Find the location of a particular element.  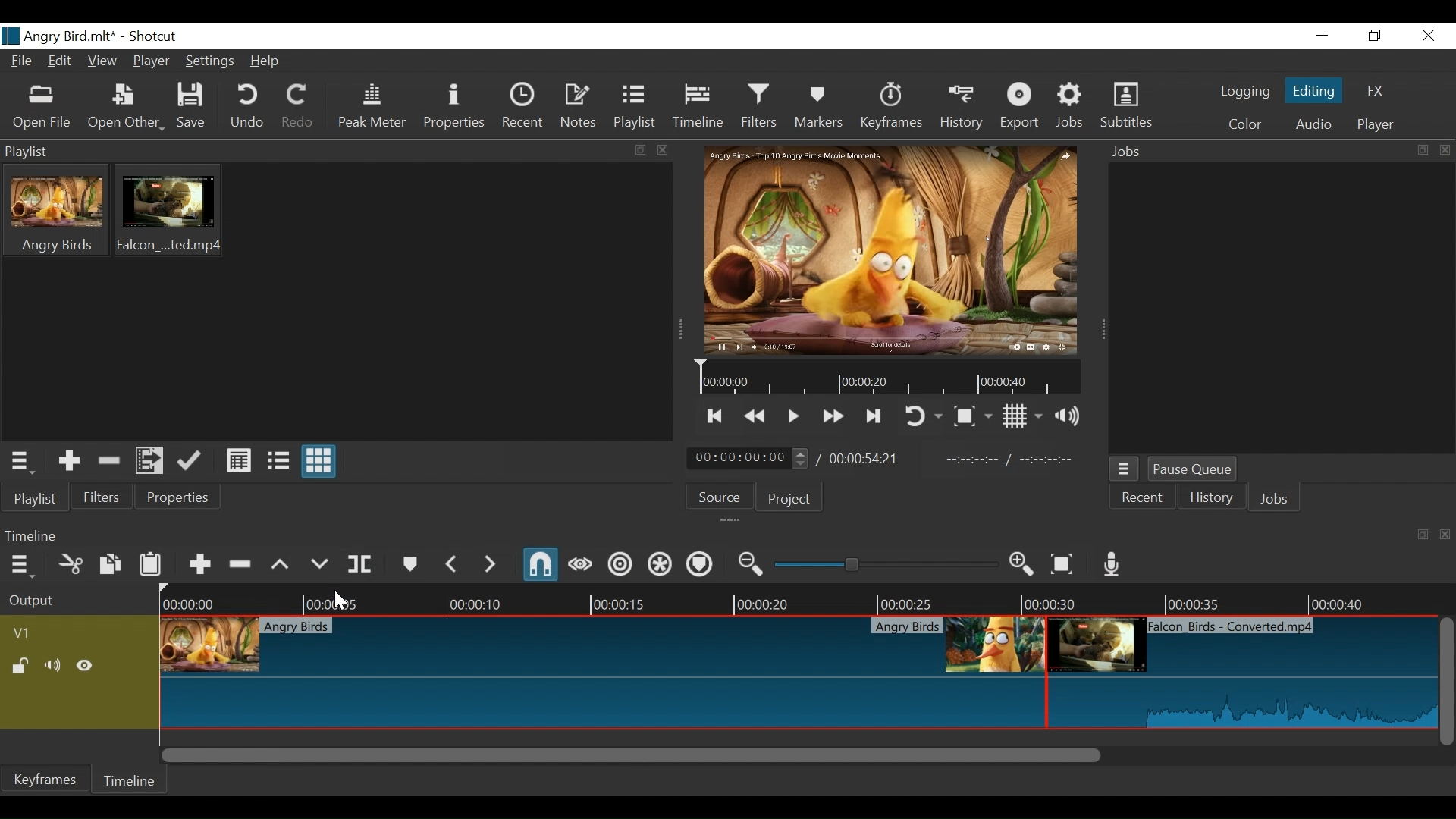

Cursor is located at coordinates (338, 601).